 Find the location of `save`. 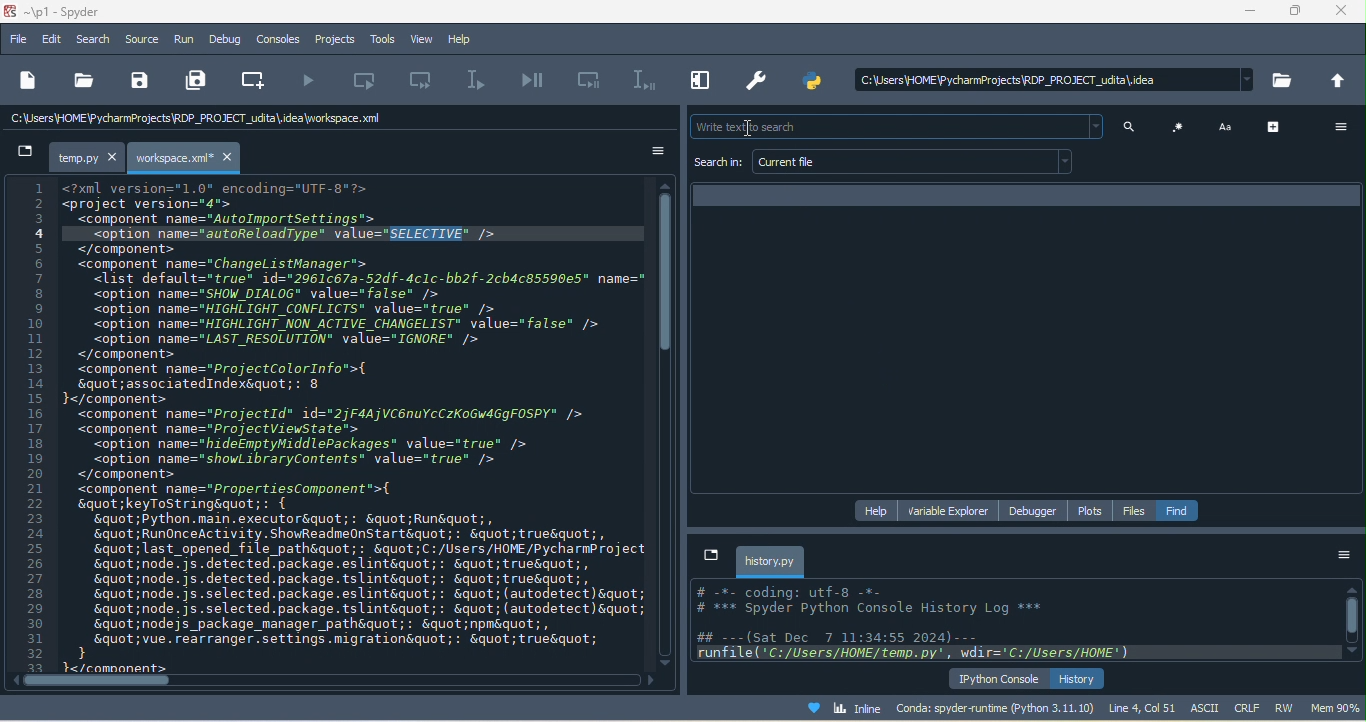

save is located at coordinates (139, 81).